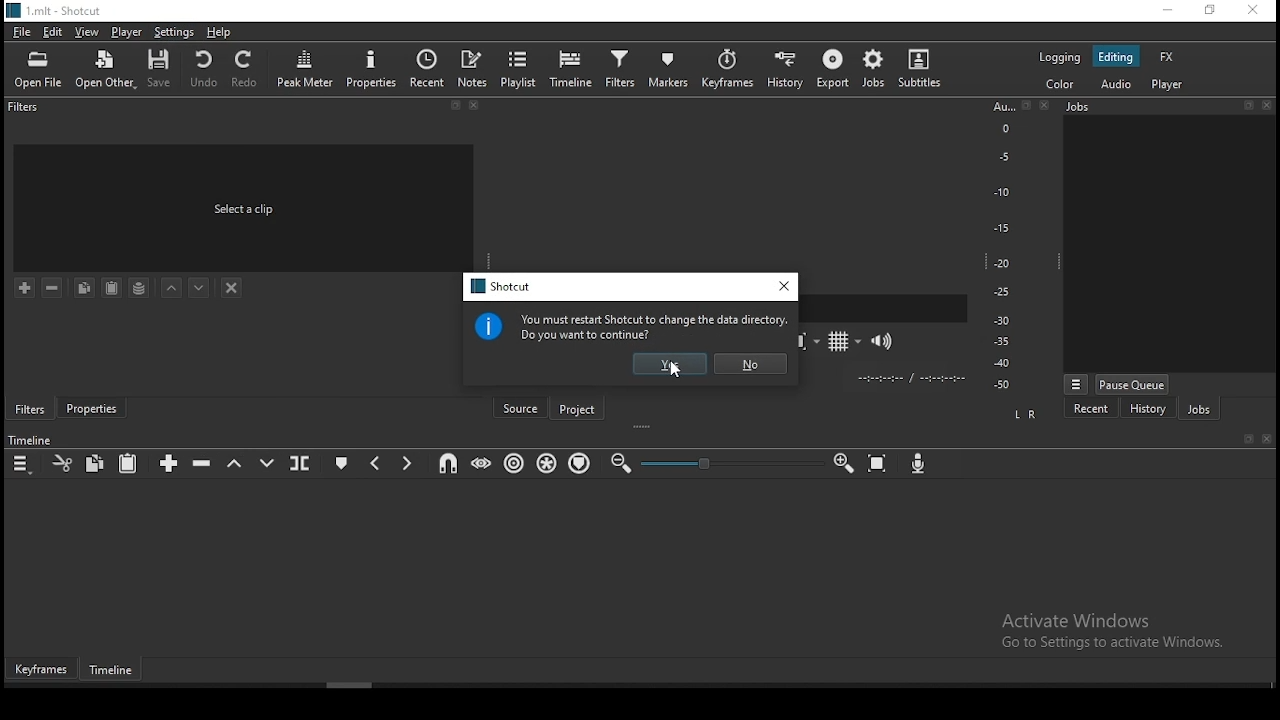 Image resolution: width=1280 pixels, height=720 pixels. What do you see at coordinates (51, 287) in the screenshot?
I see `remove selected filter` at bounding box center [51, 287].